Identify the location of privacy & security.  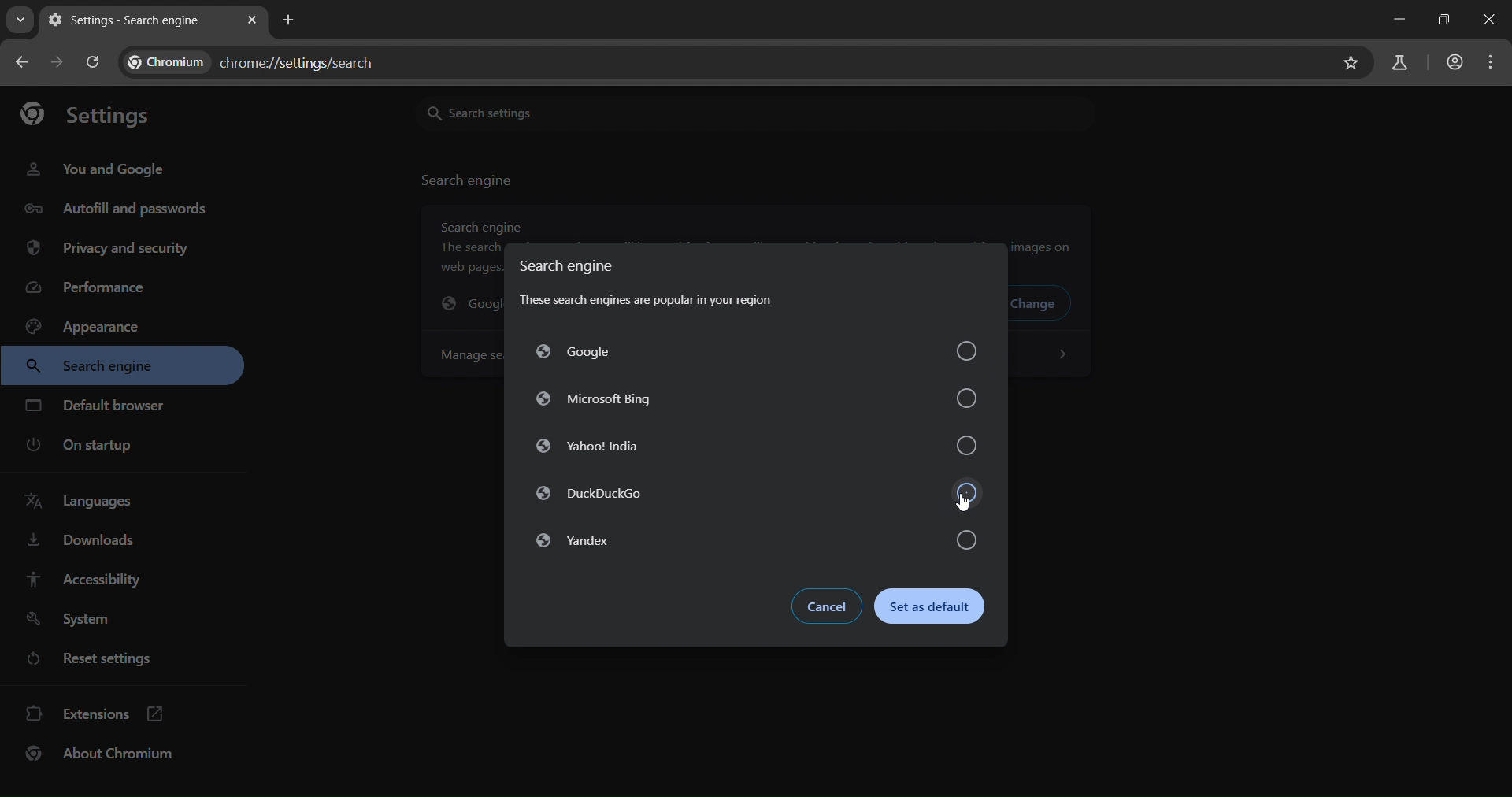
(107, 250).